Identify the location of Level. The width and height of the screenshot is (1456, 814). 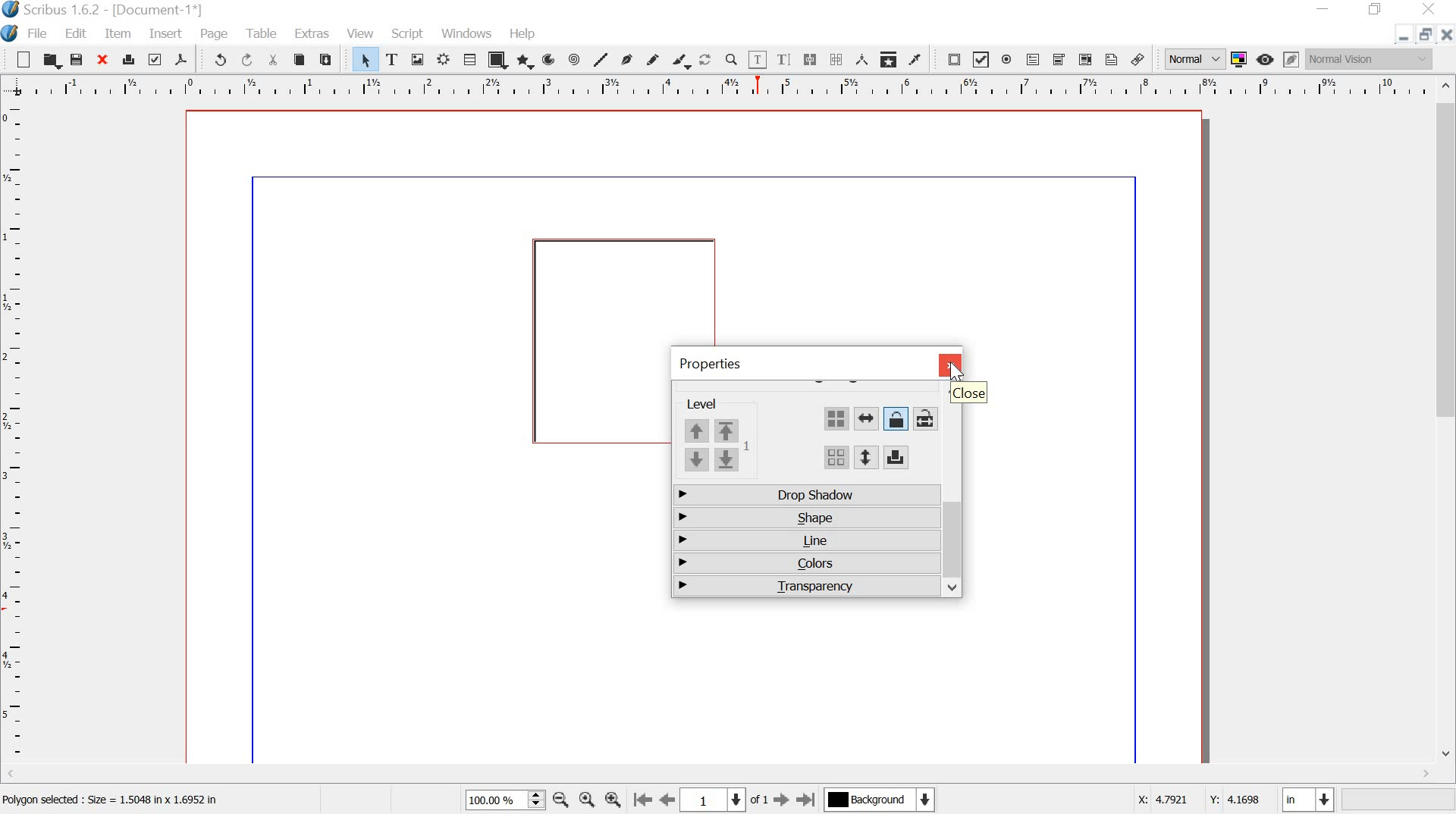
(714, 404).